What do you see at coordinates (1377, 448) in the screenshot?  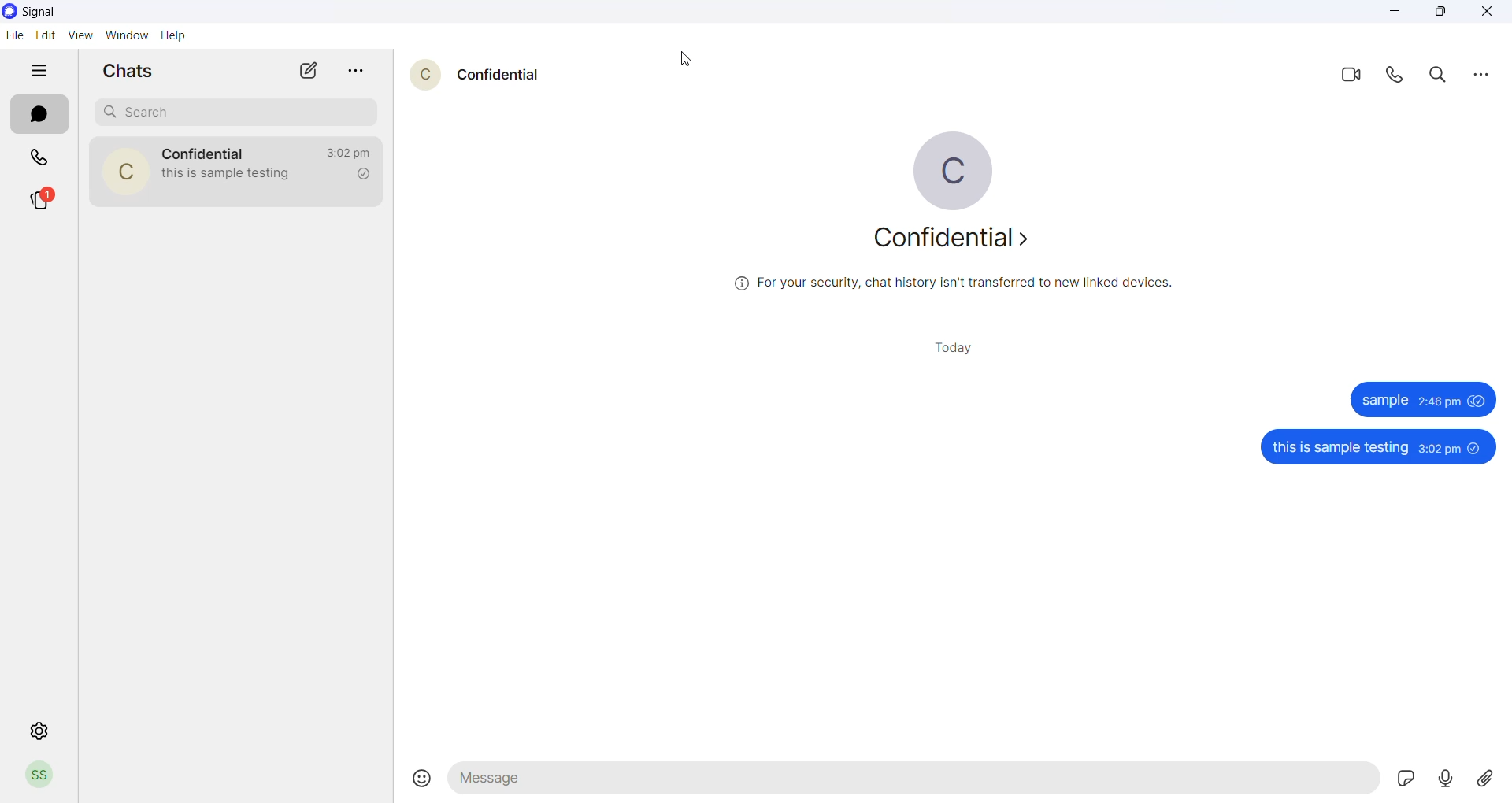 I see `` at bounding box center [1377, 448].